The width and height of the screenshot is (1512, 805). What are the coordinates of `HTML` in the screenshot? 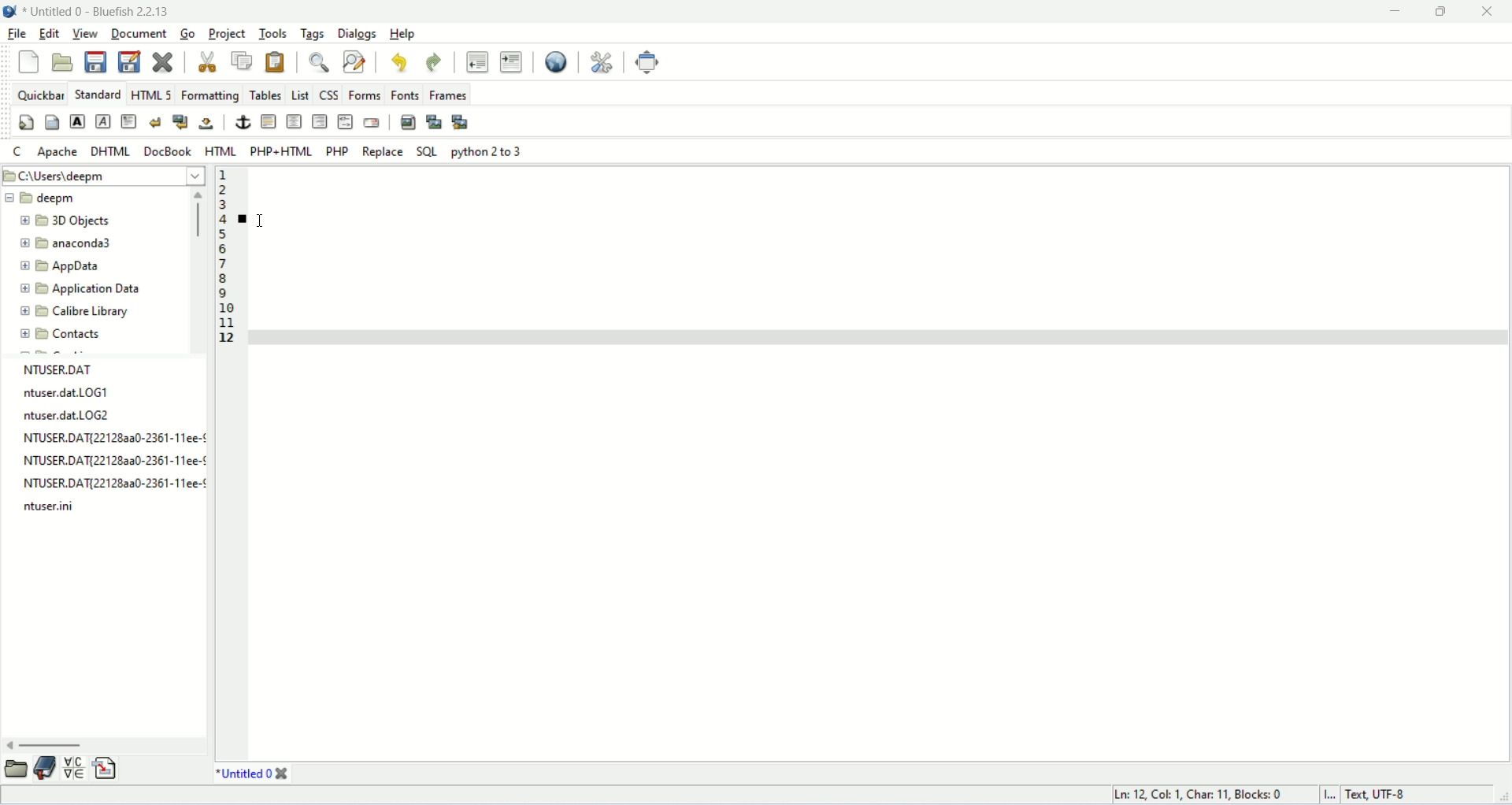 It's located at (220, 151).